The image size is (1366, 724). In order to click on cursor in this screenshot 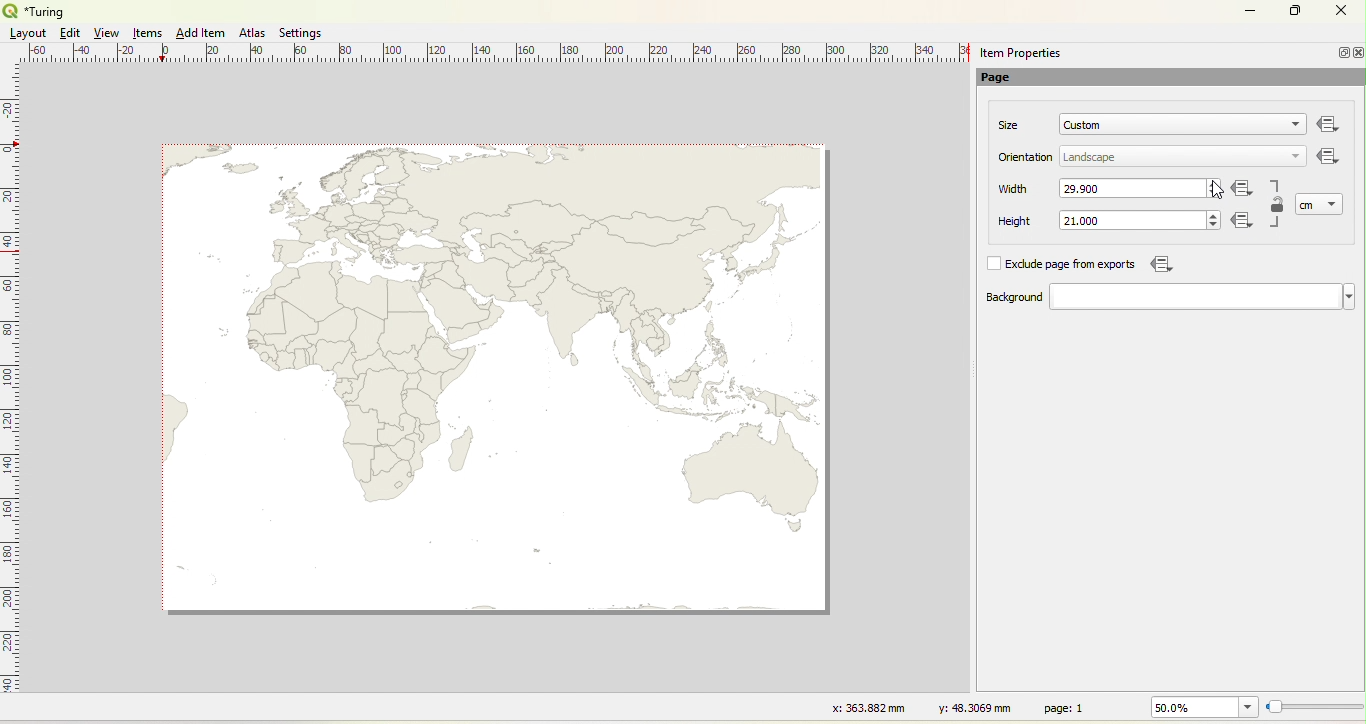, I will do `click(1218, 191)`.